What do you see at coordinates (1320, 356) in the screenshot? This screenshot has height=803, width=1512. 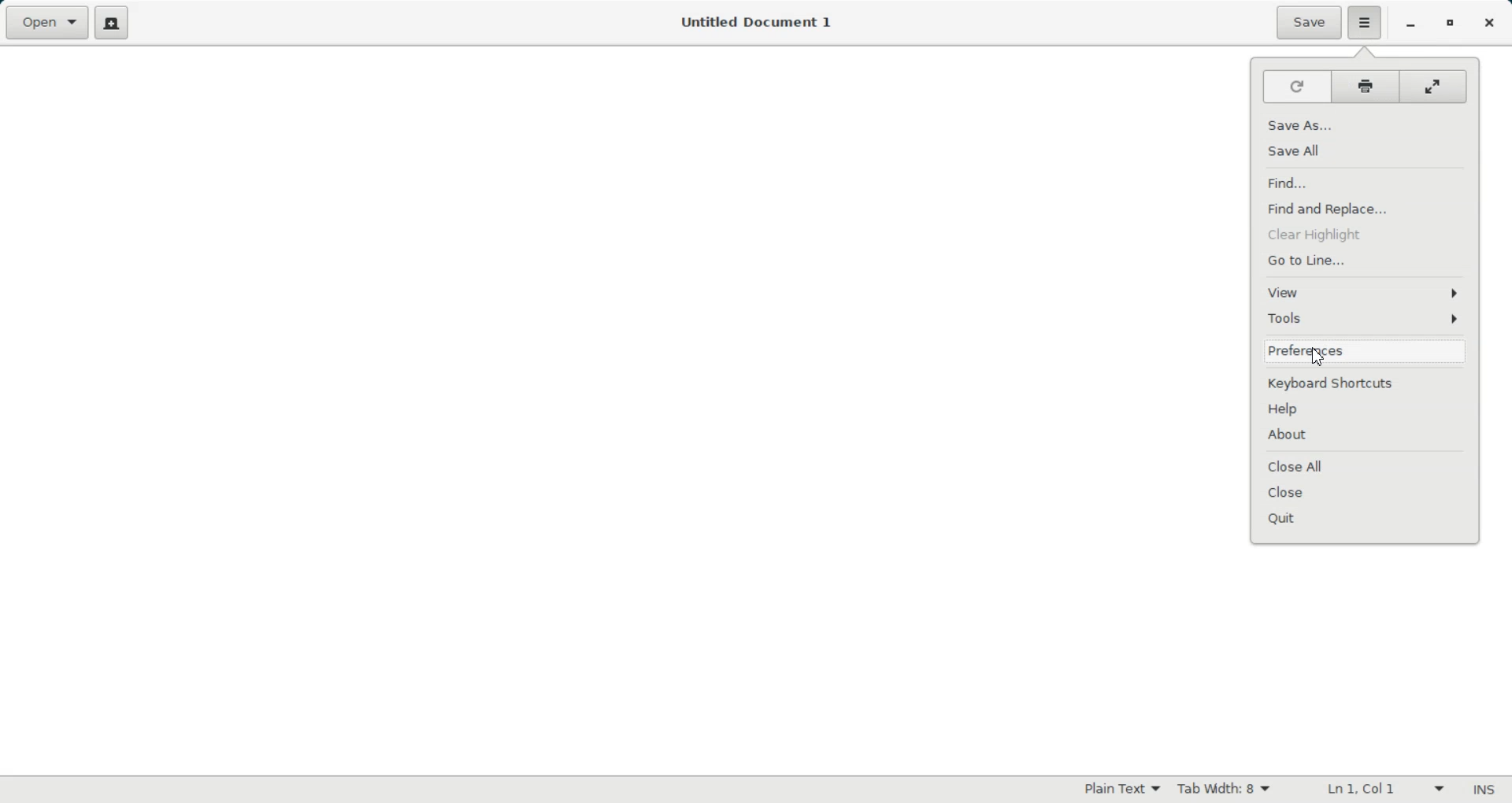 I see `Cursor` at bounding box center [1320, 356].